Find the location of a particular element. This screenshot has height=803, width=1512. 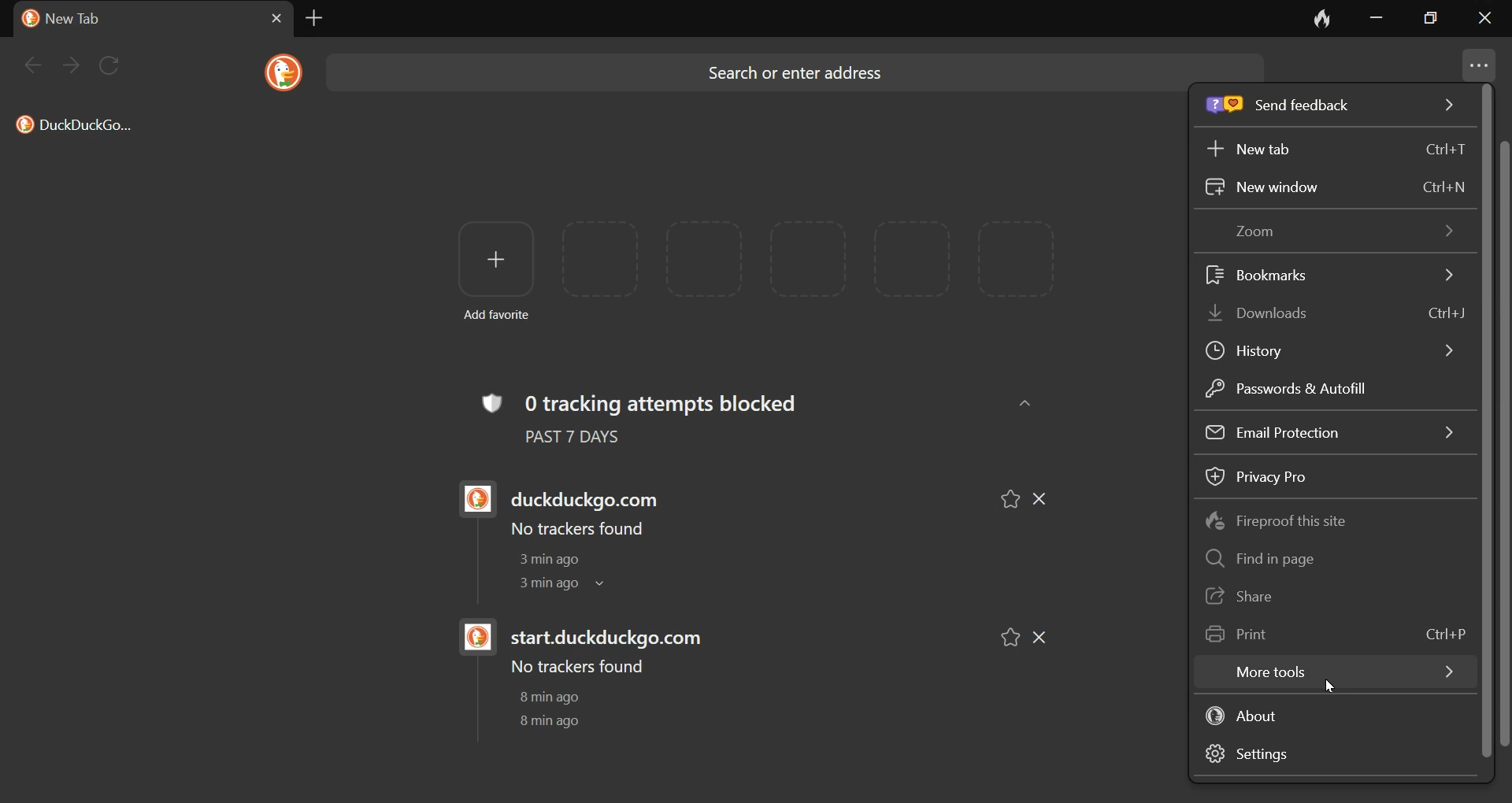

duckduck go logo is located at coordinates (280, 72).